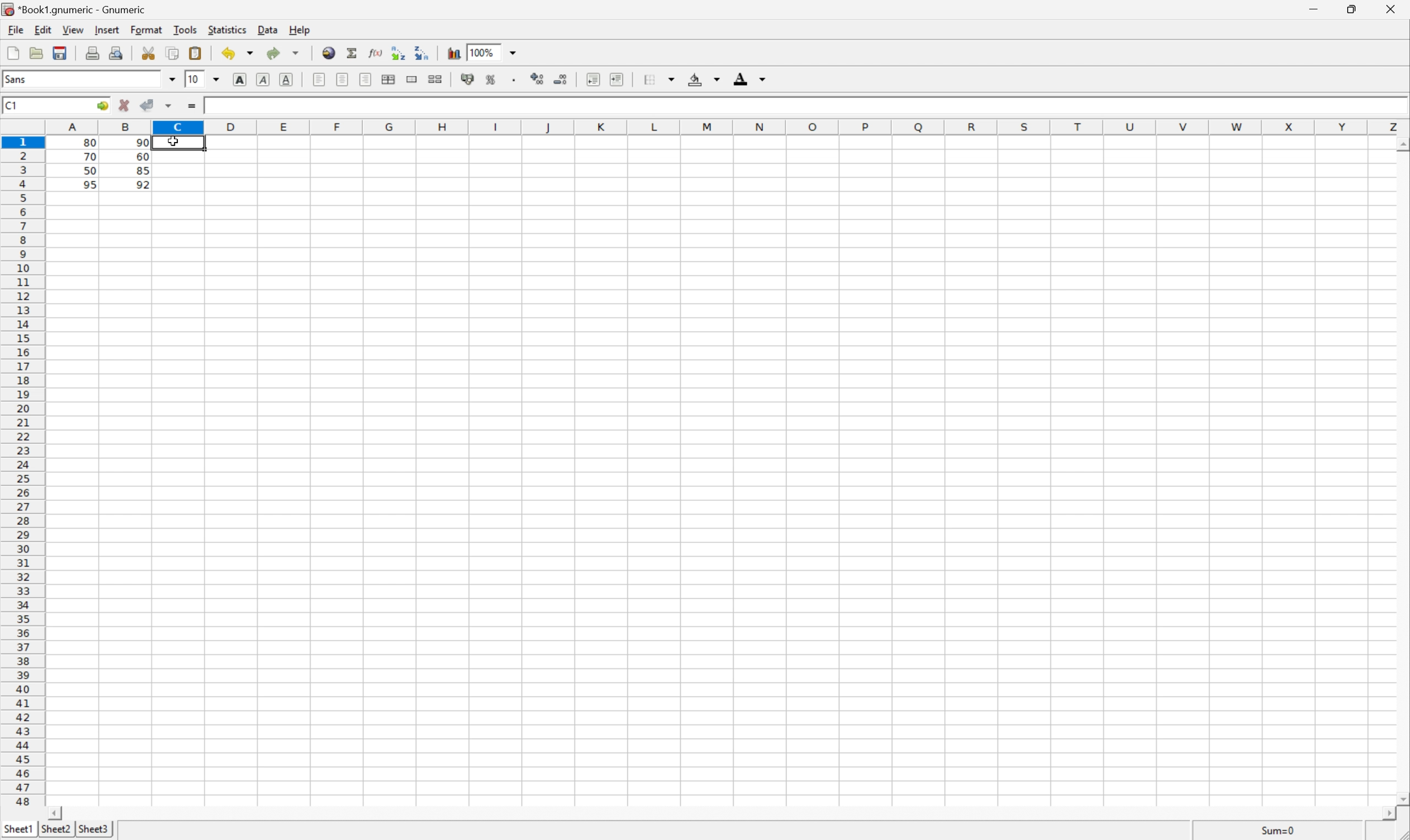  Describe the element at coordinates (493, 78) in the screenshot. I see `Format the selection as percentage` at that location.